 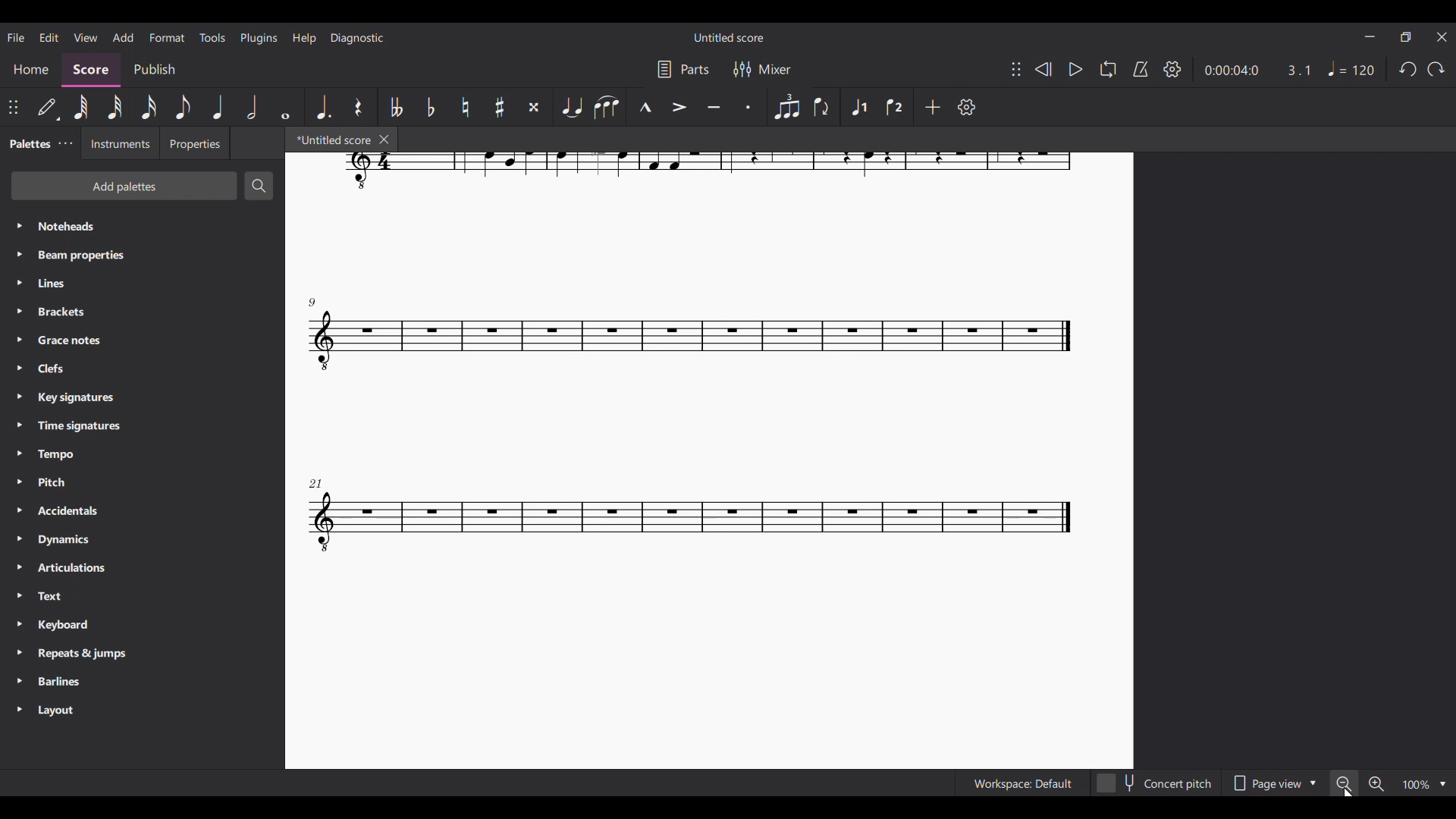 I want to click on Time signatures, so click(x=142, y=425).